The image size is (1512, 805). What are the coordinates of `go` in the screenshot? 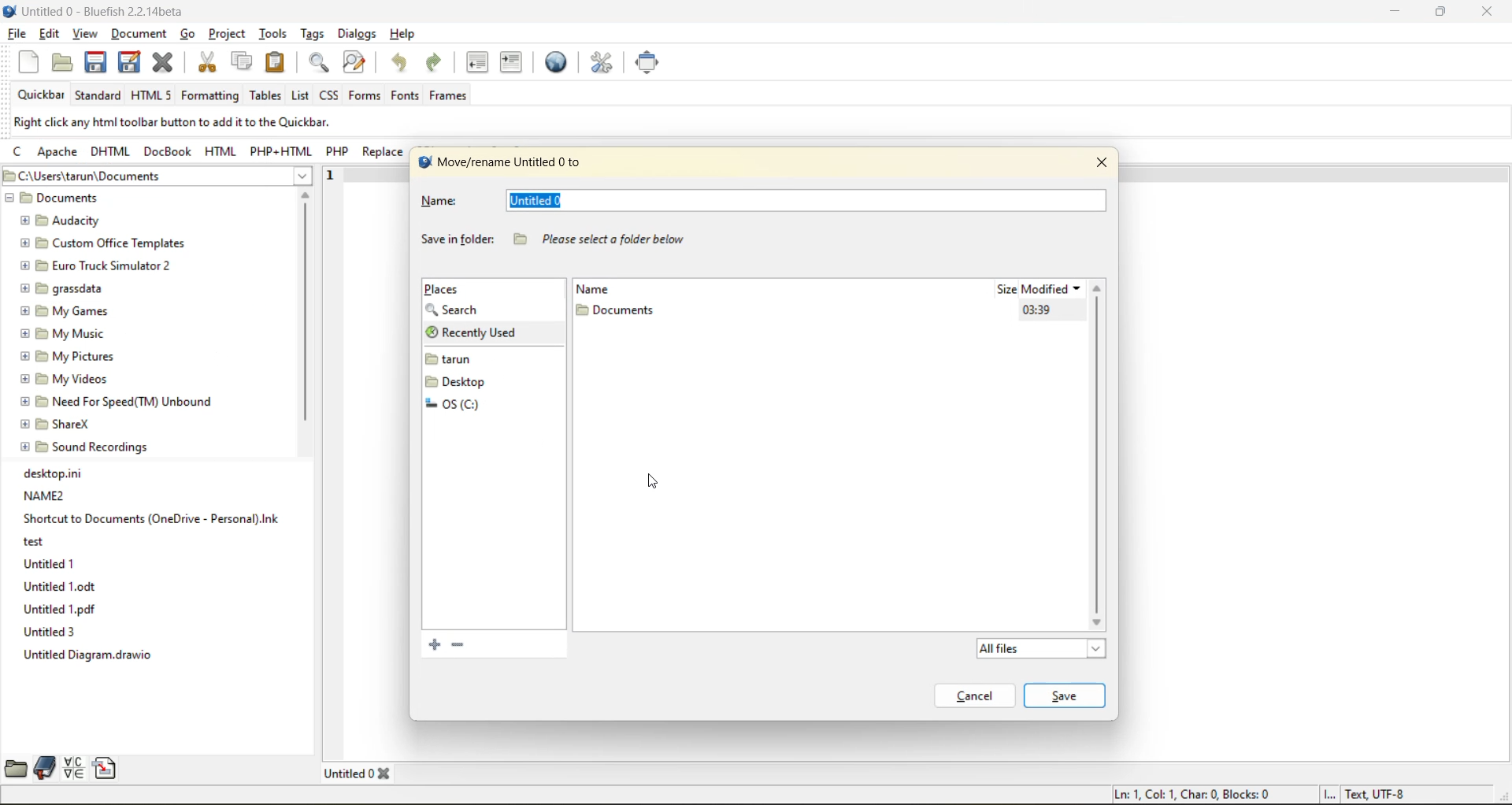 It's located at (188, 34).